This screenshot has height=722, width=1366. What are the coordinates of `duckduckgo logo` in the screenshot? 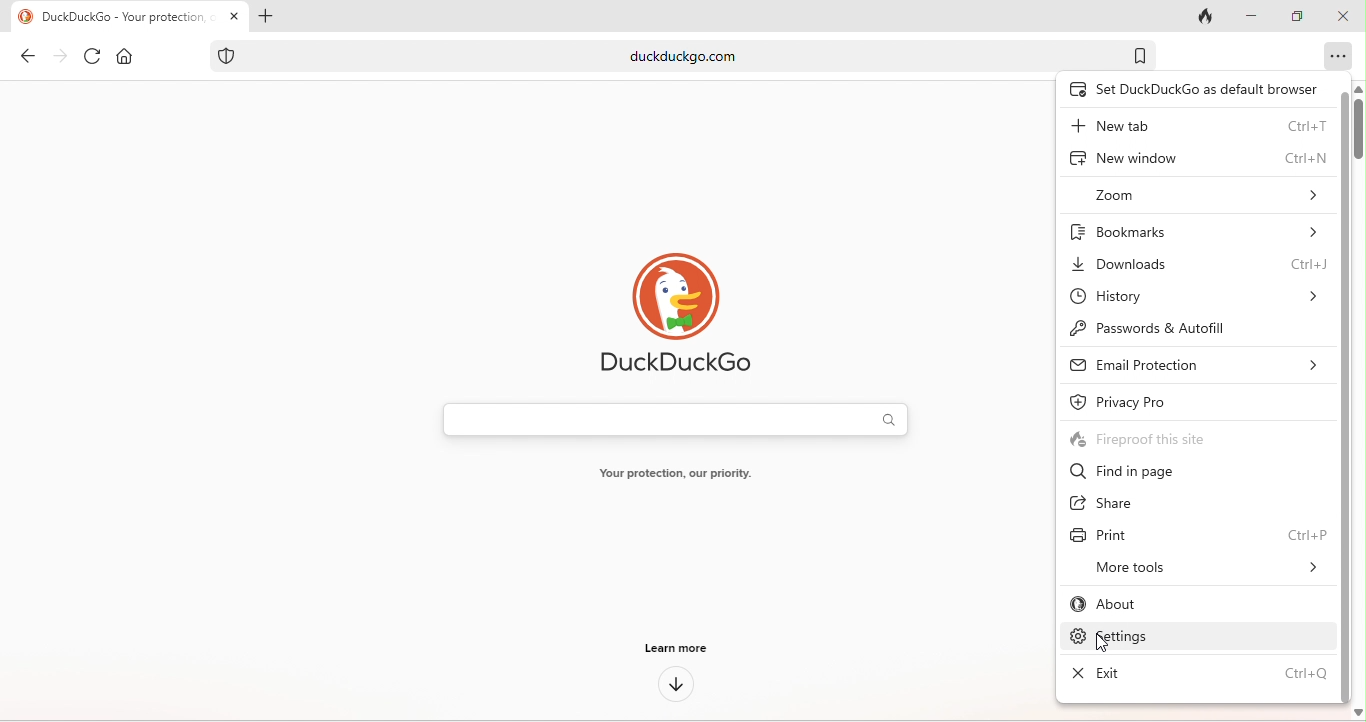 It's located at (20, 17).